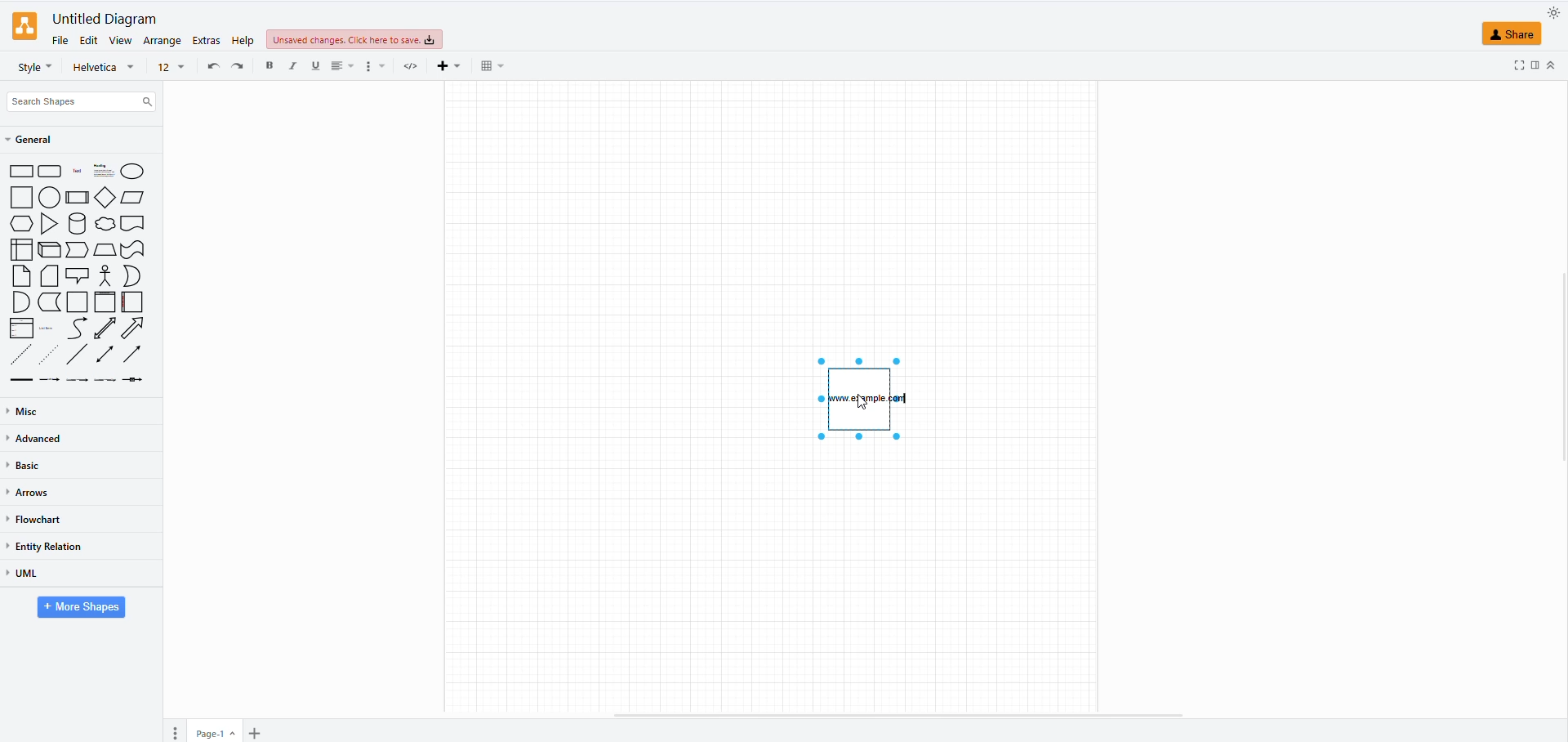 The image size is (1568, 742). I want to click on font size, so click(171, 68).